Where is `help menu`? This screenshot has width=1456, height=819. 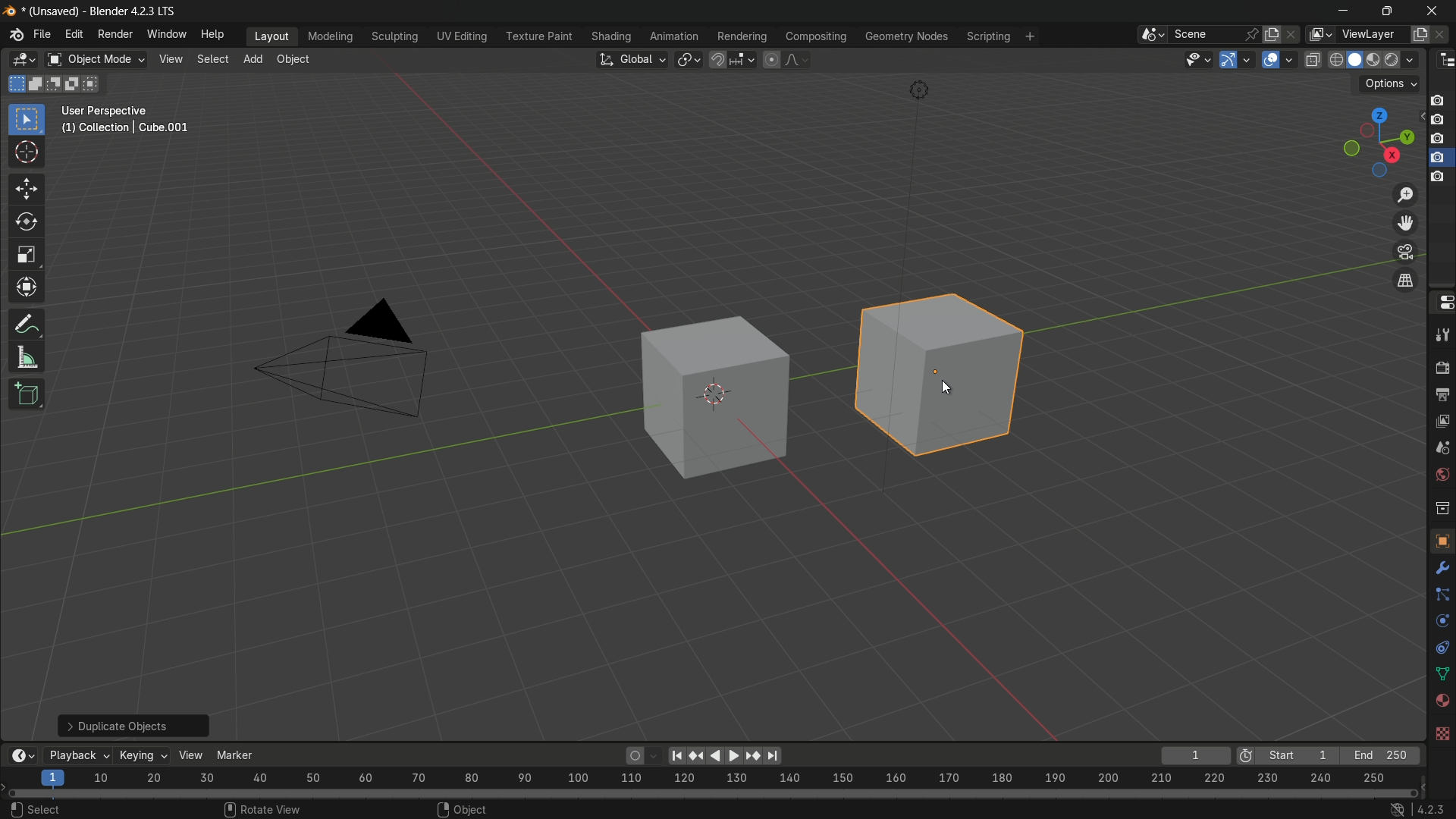
help menu is located at coordinates (214, 34).